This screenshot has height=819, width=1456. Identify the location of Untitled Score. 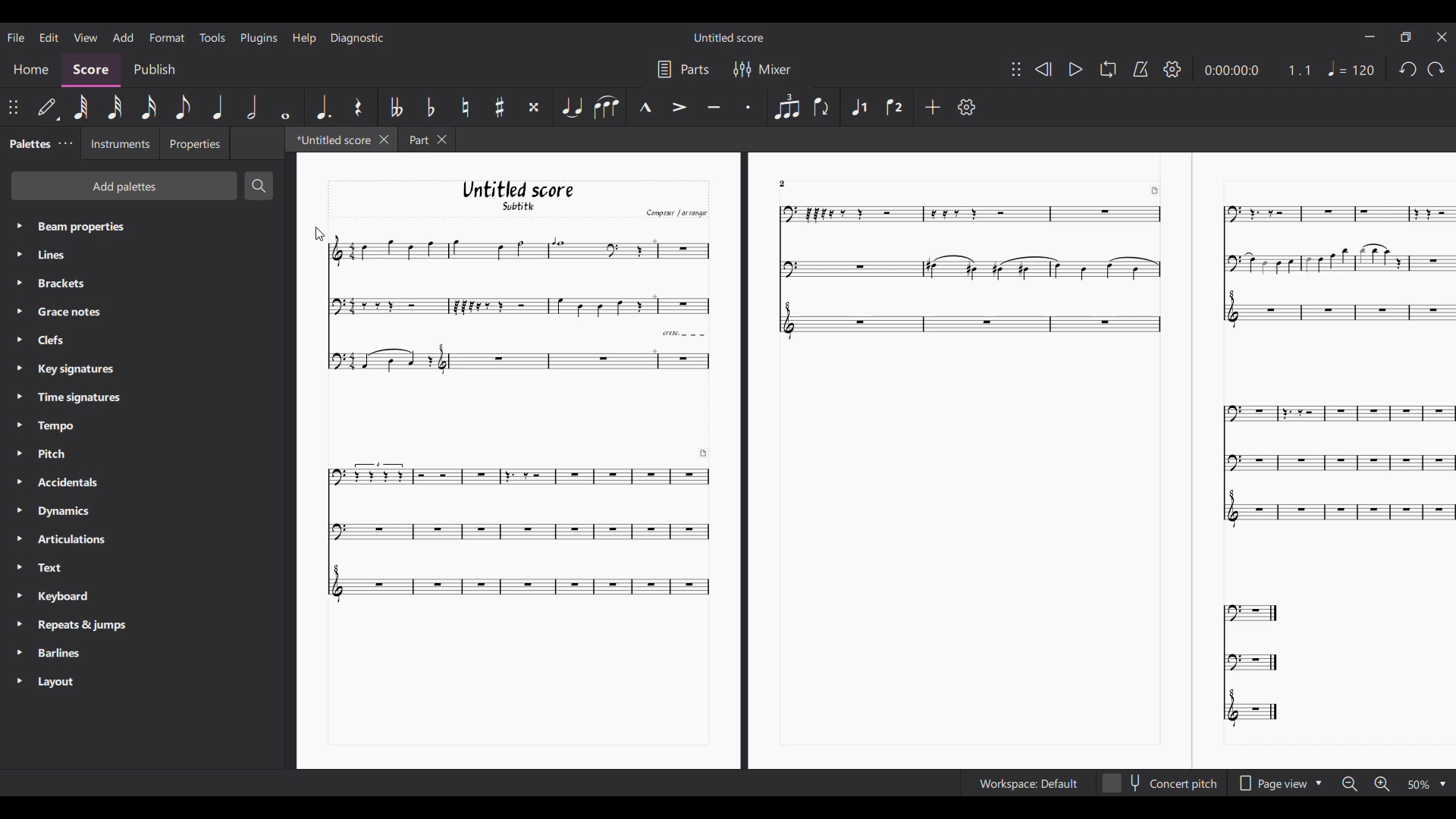
(729, 37).